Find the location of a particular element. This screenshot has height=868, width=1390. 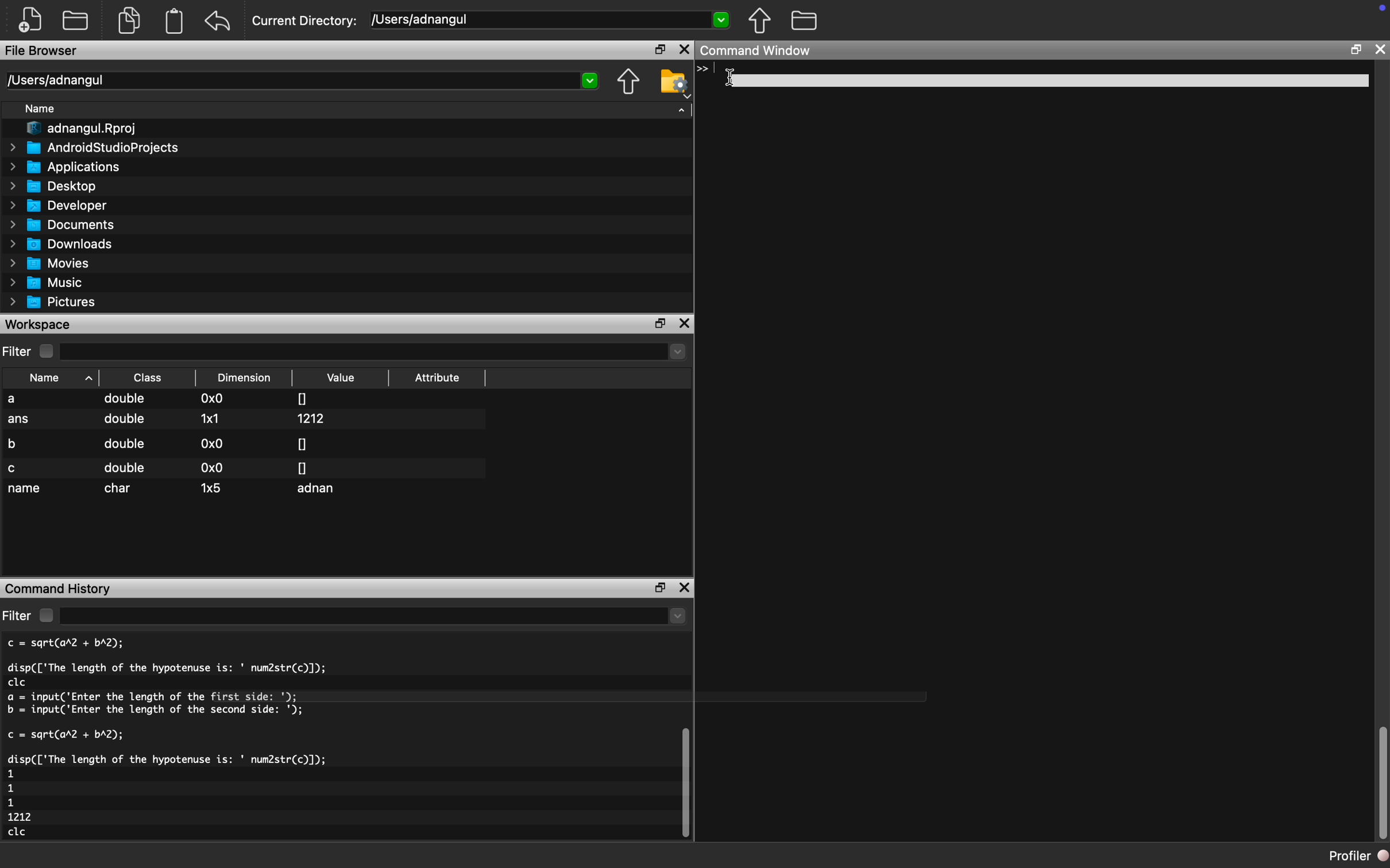

double is located at coordinates (123, 444).